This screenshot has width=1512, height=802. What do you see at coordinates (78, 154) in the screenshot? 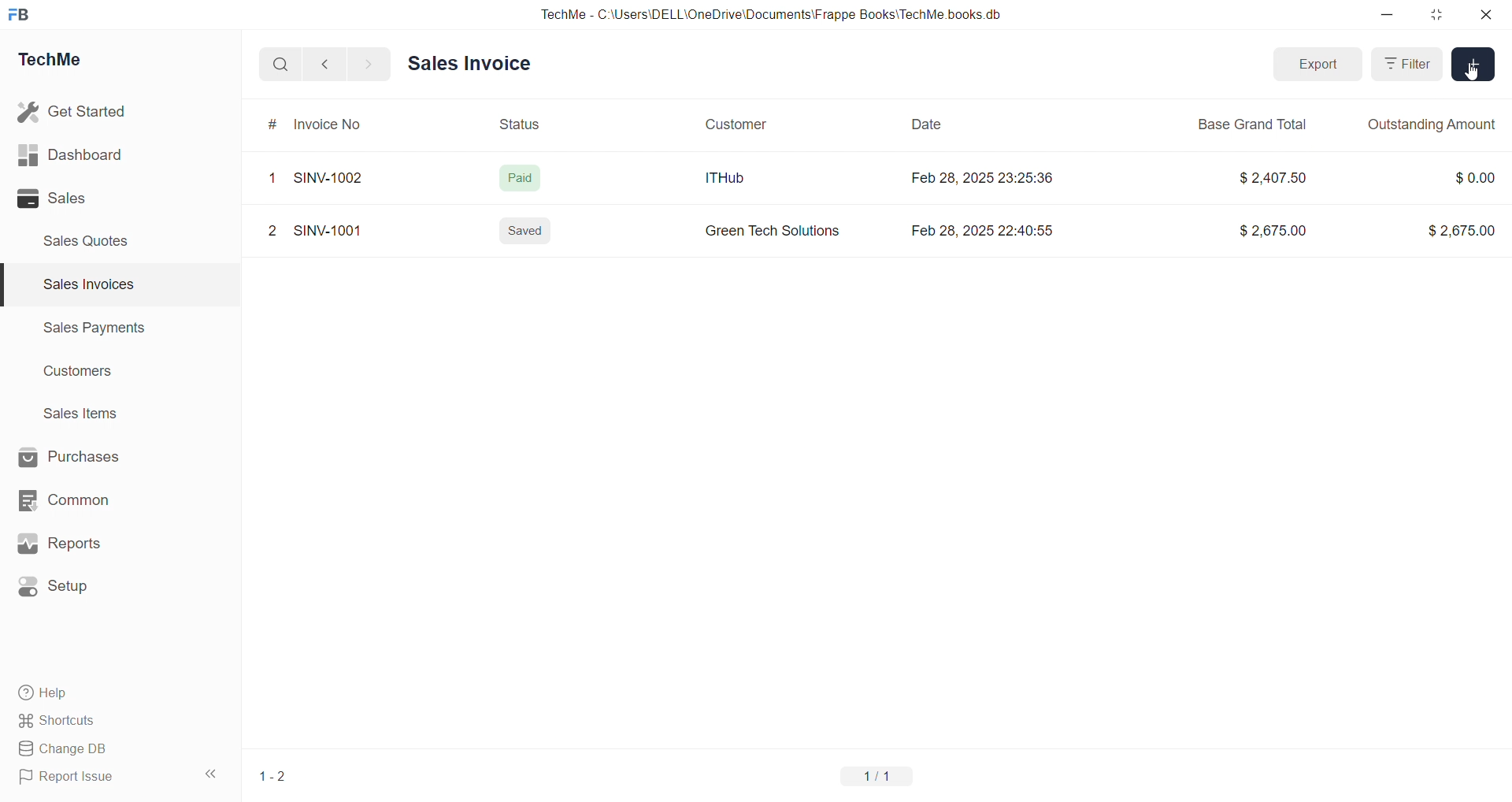
I see `ull Dashboard` at bounding box center [78, 154].